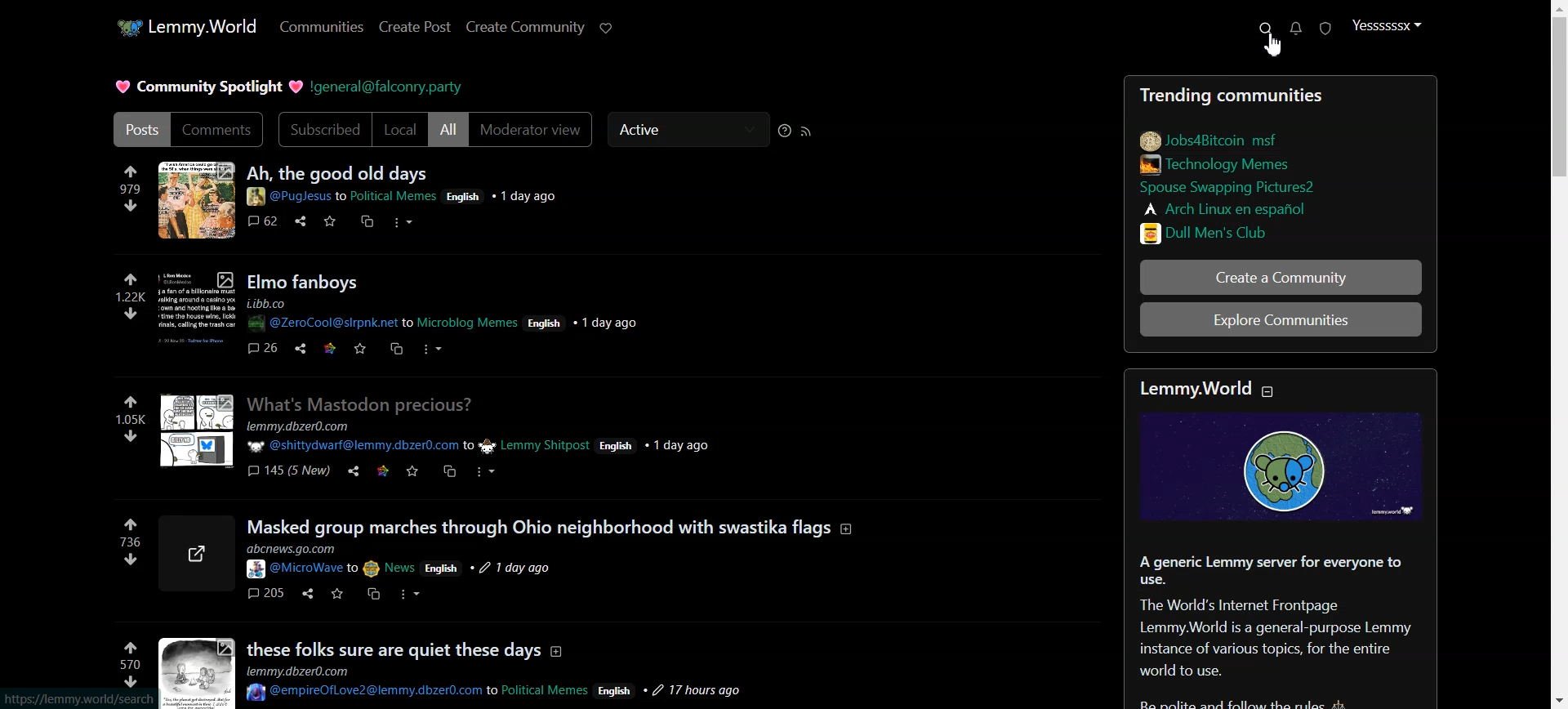 The image size is (1568, 709). I want to click on Support Limmy, so click(607, 28).